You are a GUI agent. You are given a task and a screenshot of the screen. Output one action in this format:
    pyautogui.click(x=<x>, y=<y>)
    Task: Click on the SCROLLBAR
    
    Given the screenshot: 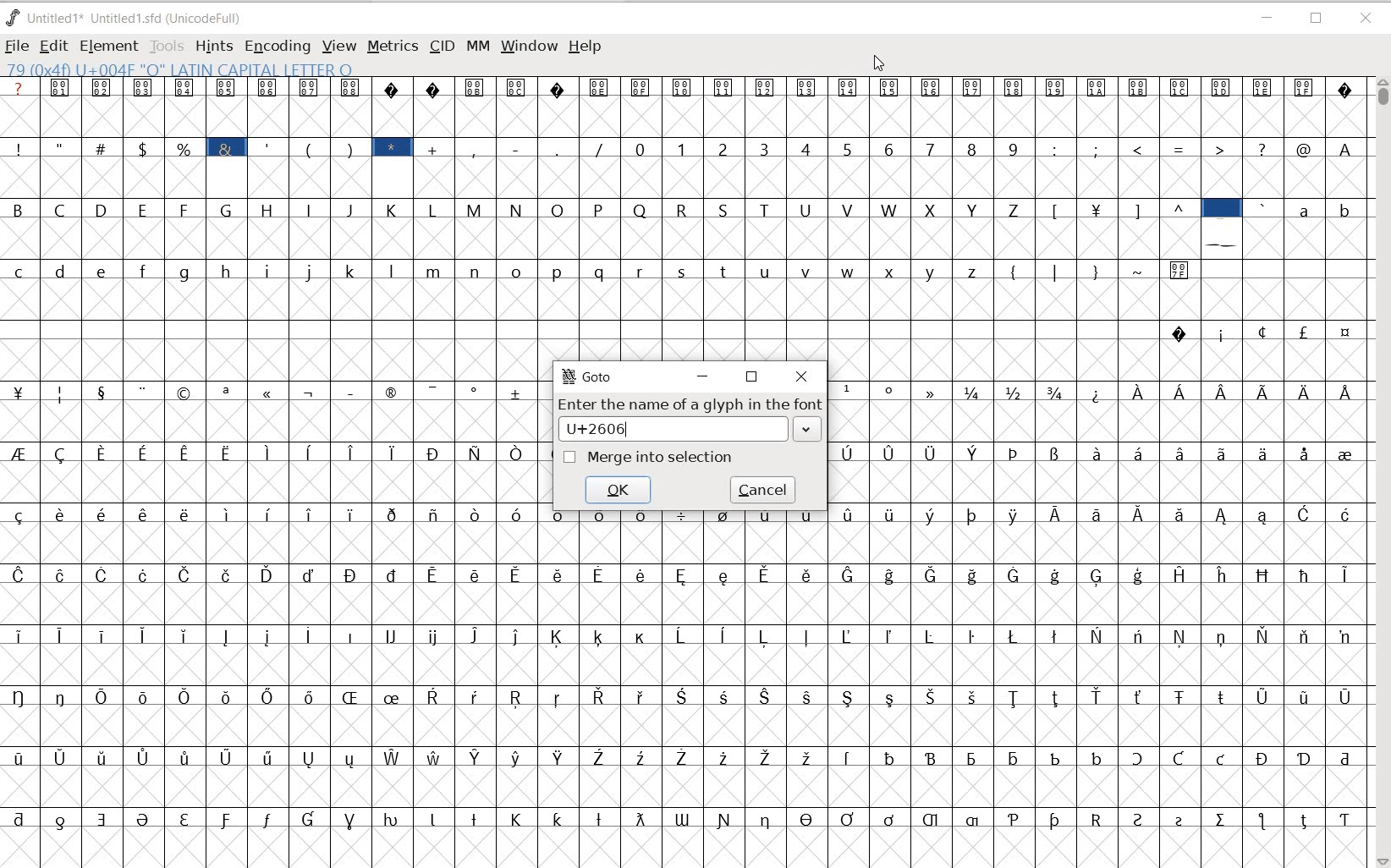 What is the action you would take?
    pyautogui.click(x=1381, y=472)
    